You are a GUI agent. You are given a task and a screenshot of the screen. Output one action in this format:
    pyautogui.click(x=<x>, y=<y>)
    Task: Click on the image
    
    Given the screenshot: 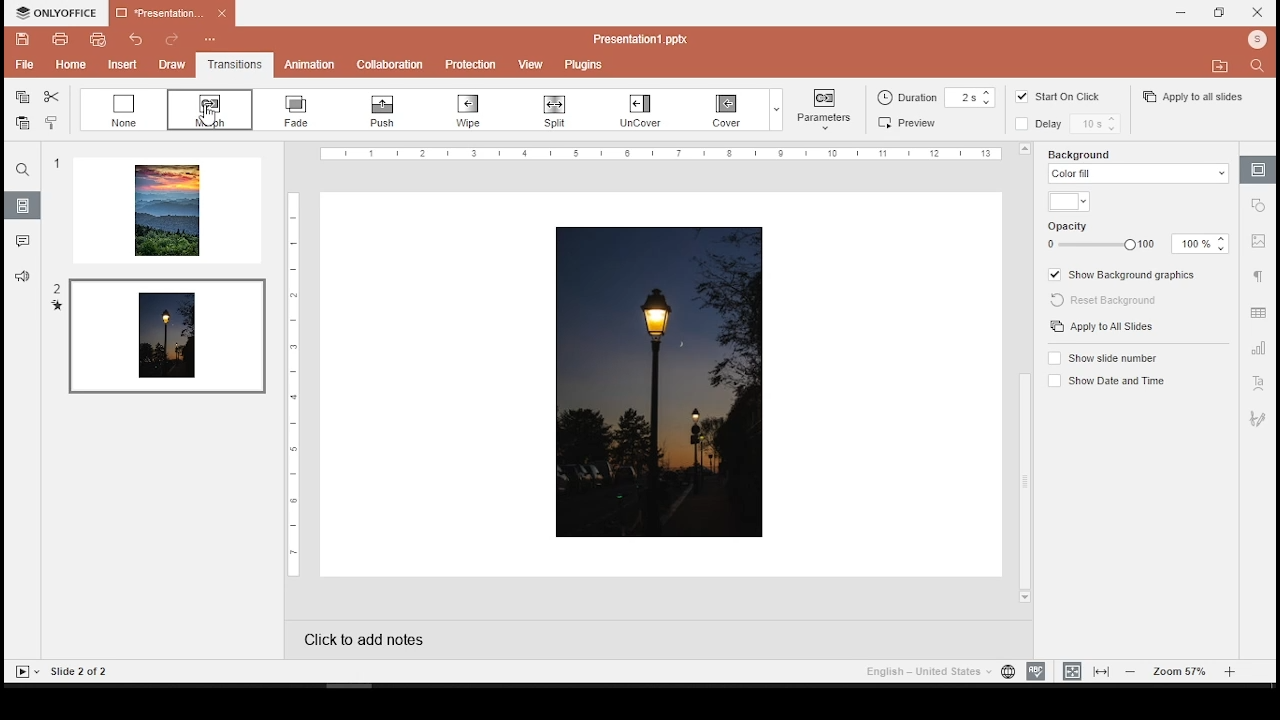 What is the action you would take?
    pyautogui.click(x=1018, y=126)
    